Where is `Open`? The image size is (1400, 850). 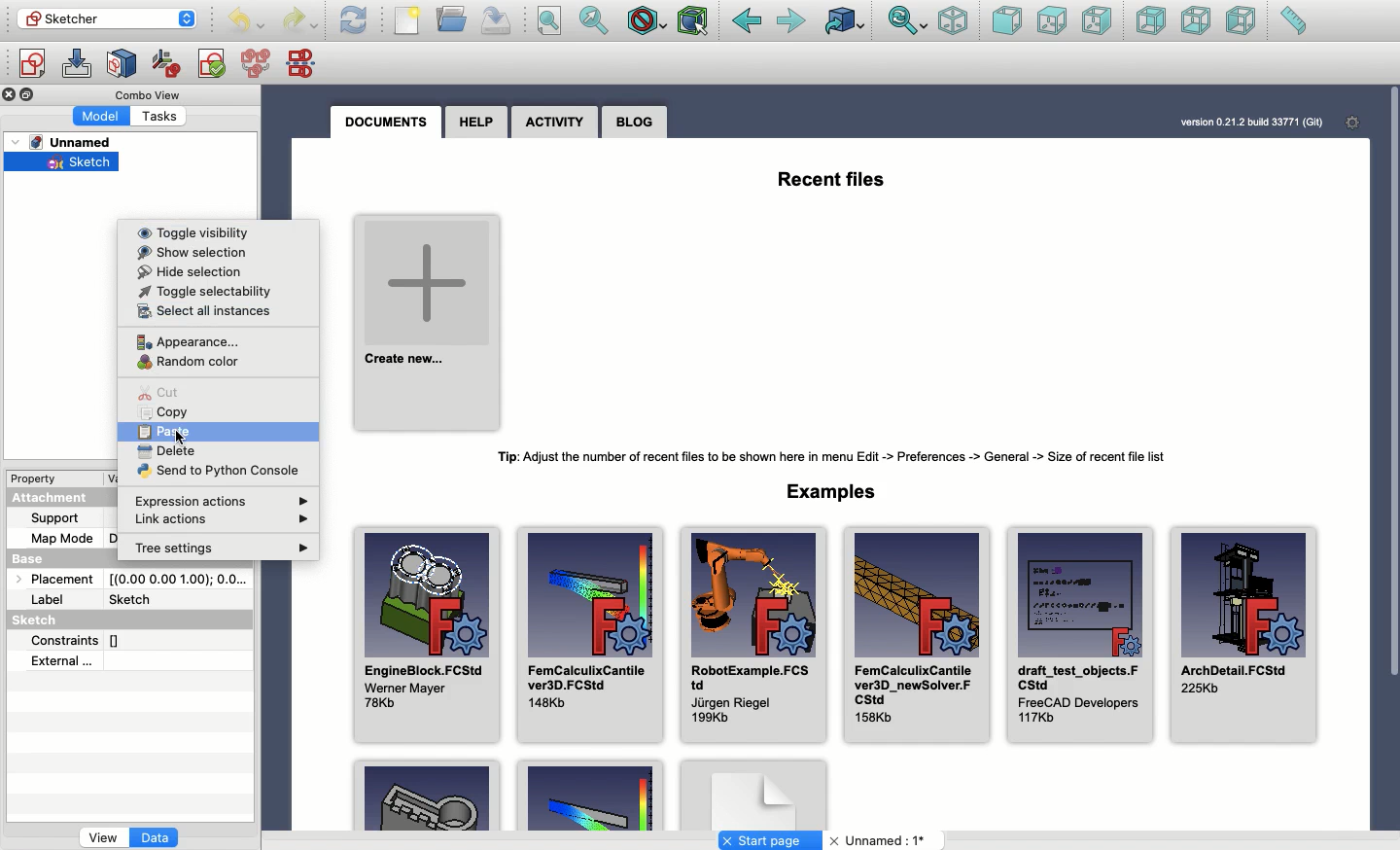
Open is located at coordinates (453, 18).